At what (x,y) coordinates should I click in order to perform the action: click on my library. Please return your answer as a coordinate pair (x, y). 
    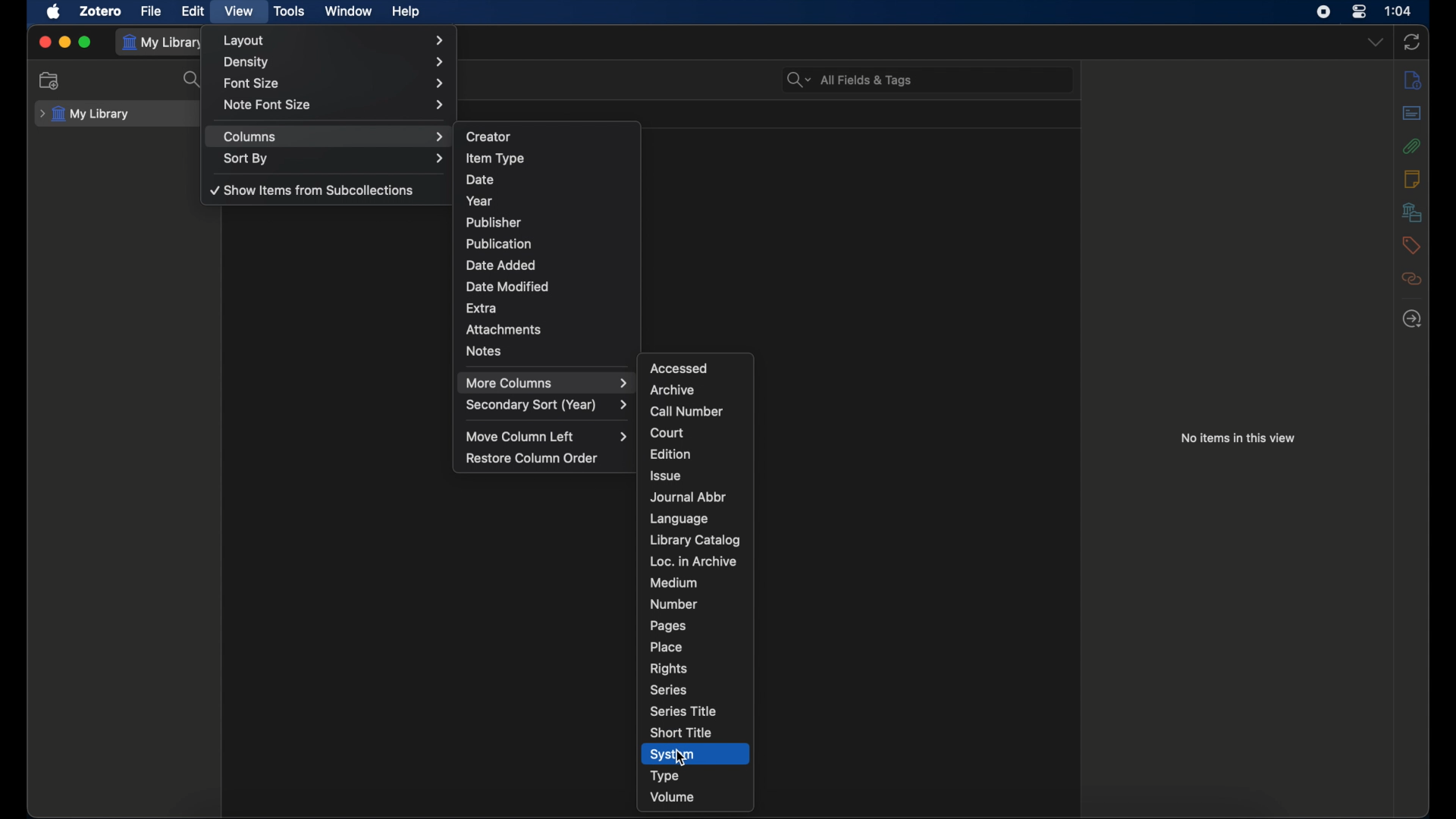
    Looking at the image, I should click on (86, 115).